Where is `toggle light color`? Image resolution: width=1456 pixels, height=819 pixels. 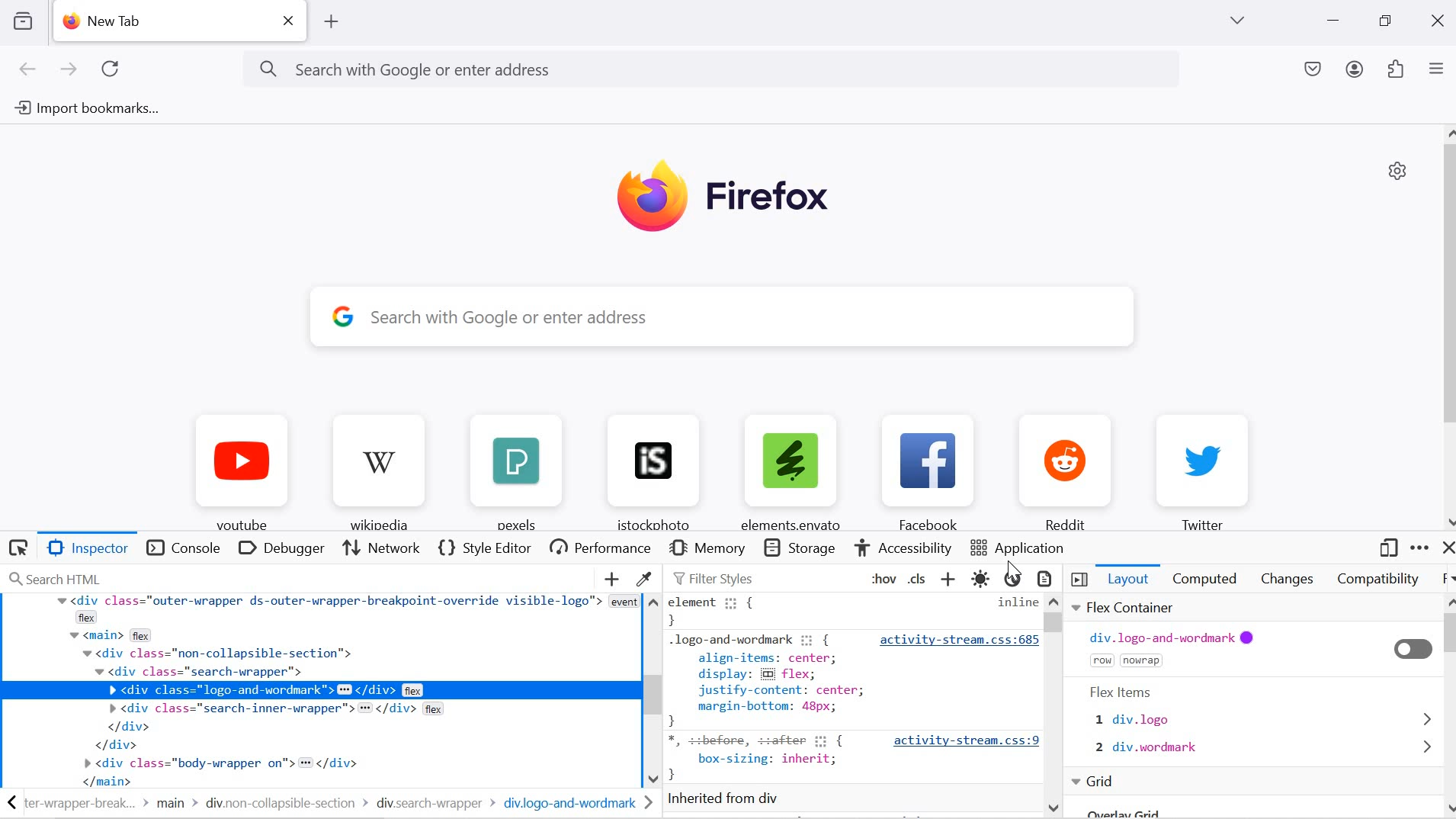 toggle light color is located at coordinates (979, 580).